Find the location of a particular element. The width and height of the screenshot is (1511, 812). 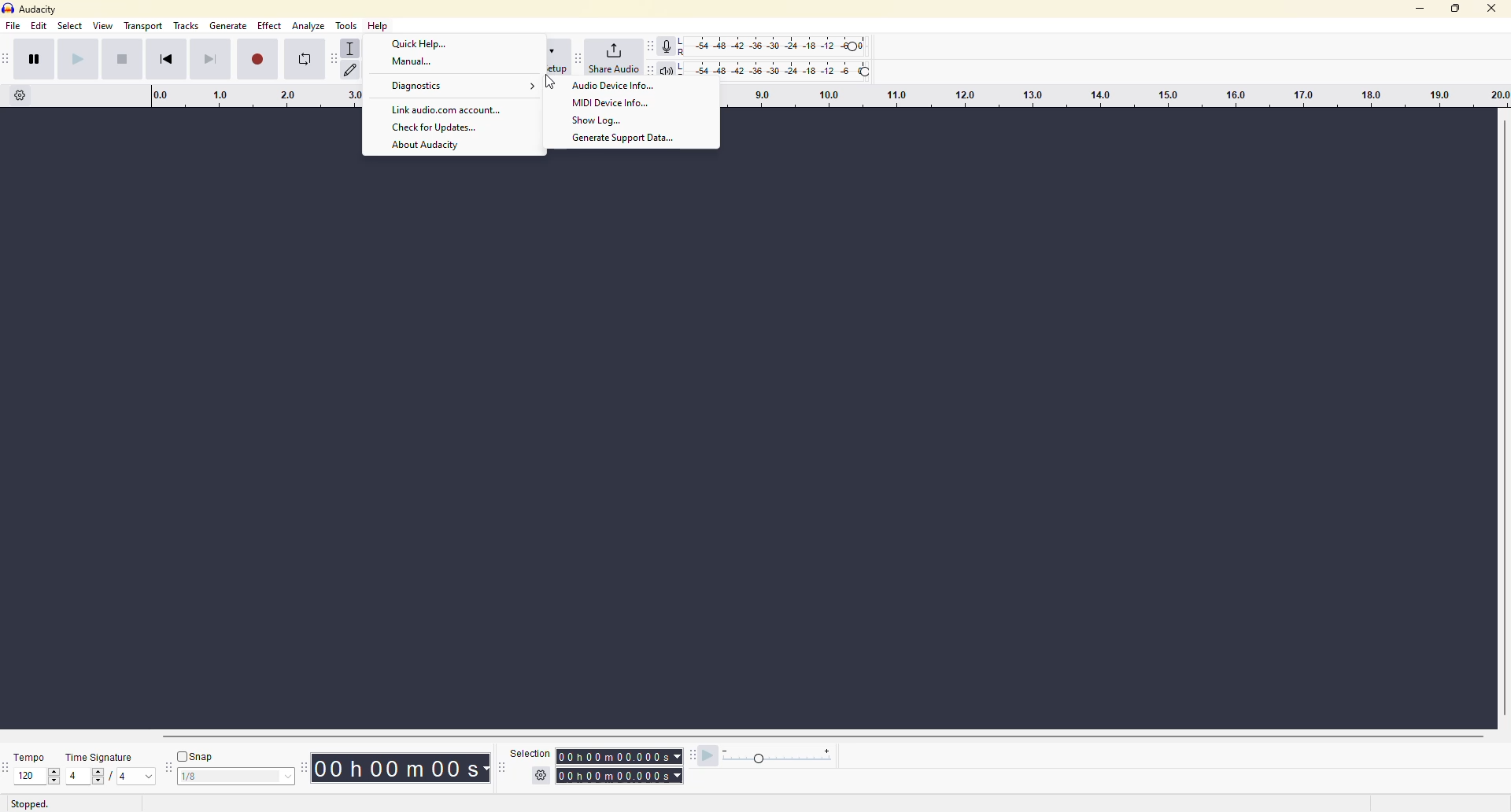

skip to start is located at coordinates (175, 61).